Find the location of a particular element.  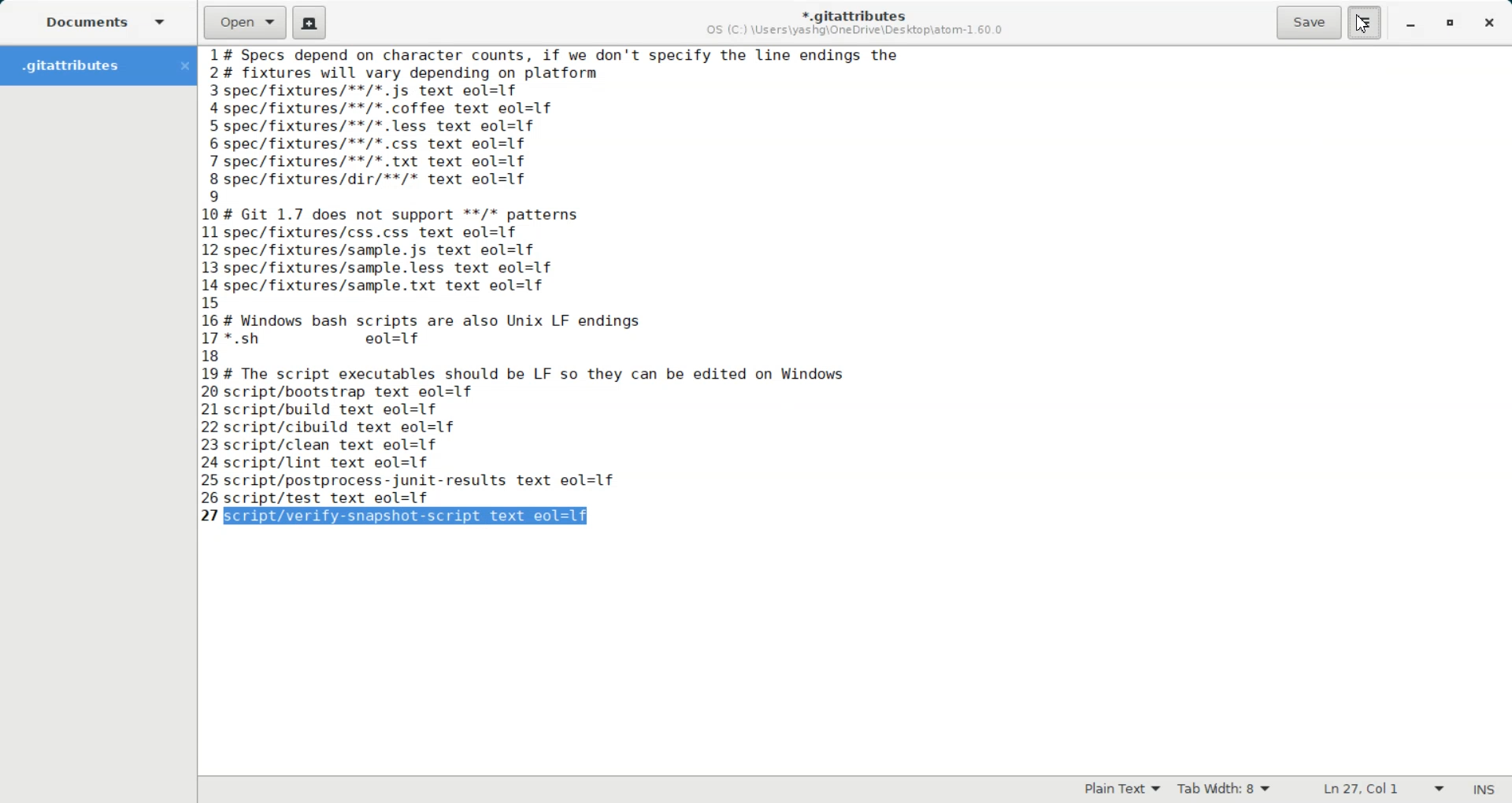

Plain Text is located at coordinates (1118, 790).